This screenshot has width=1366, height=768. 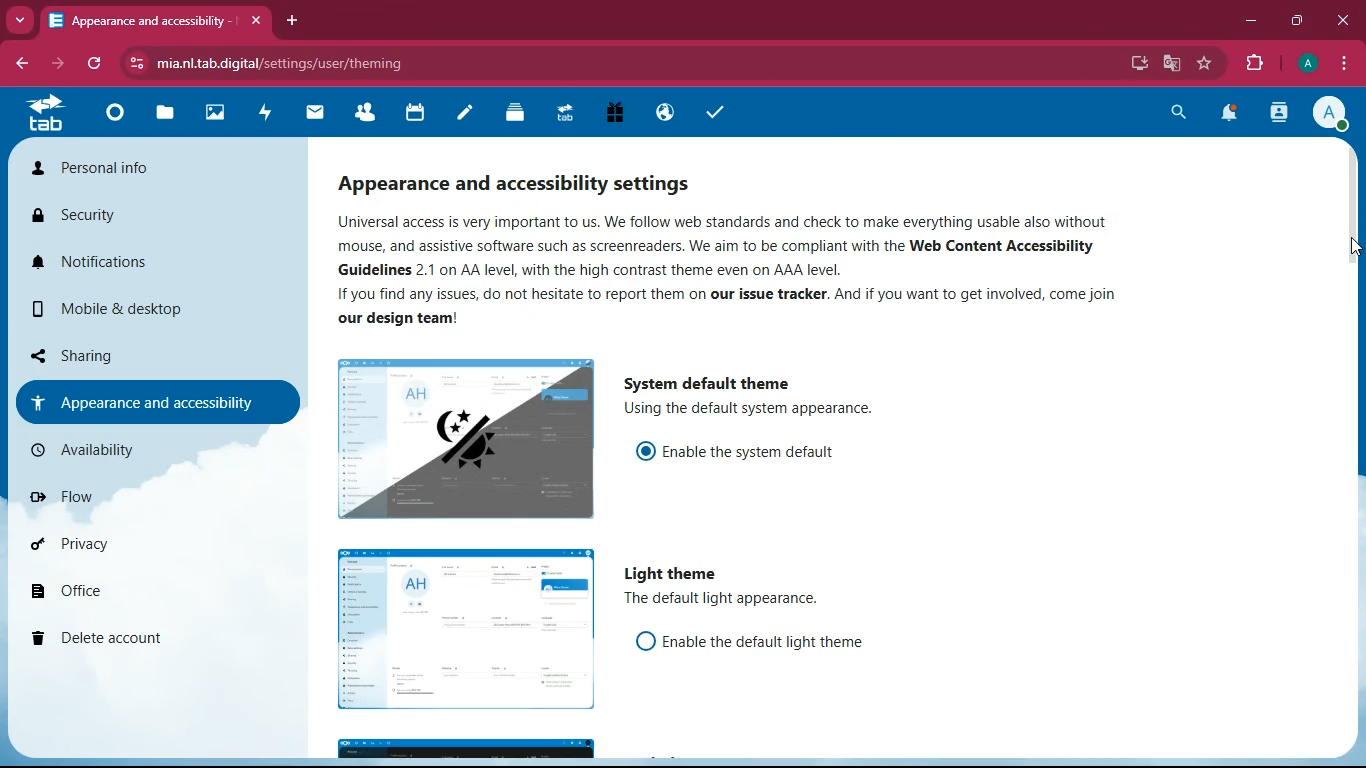 What do you see at coordinates (139, 64) in the screenshot?
I see `view site information` at bounding box center [139, 64].